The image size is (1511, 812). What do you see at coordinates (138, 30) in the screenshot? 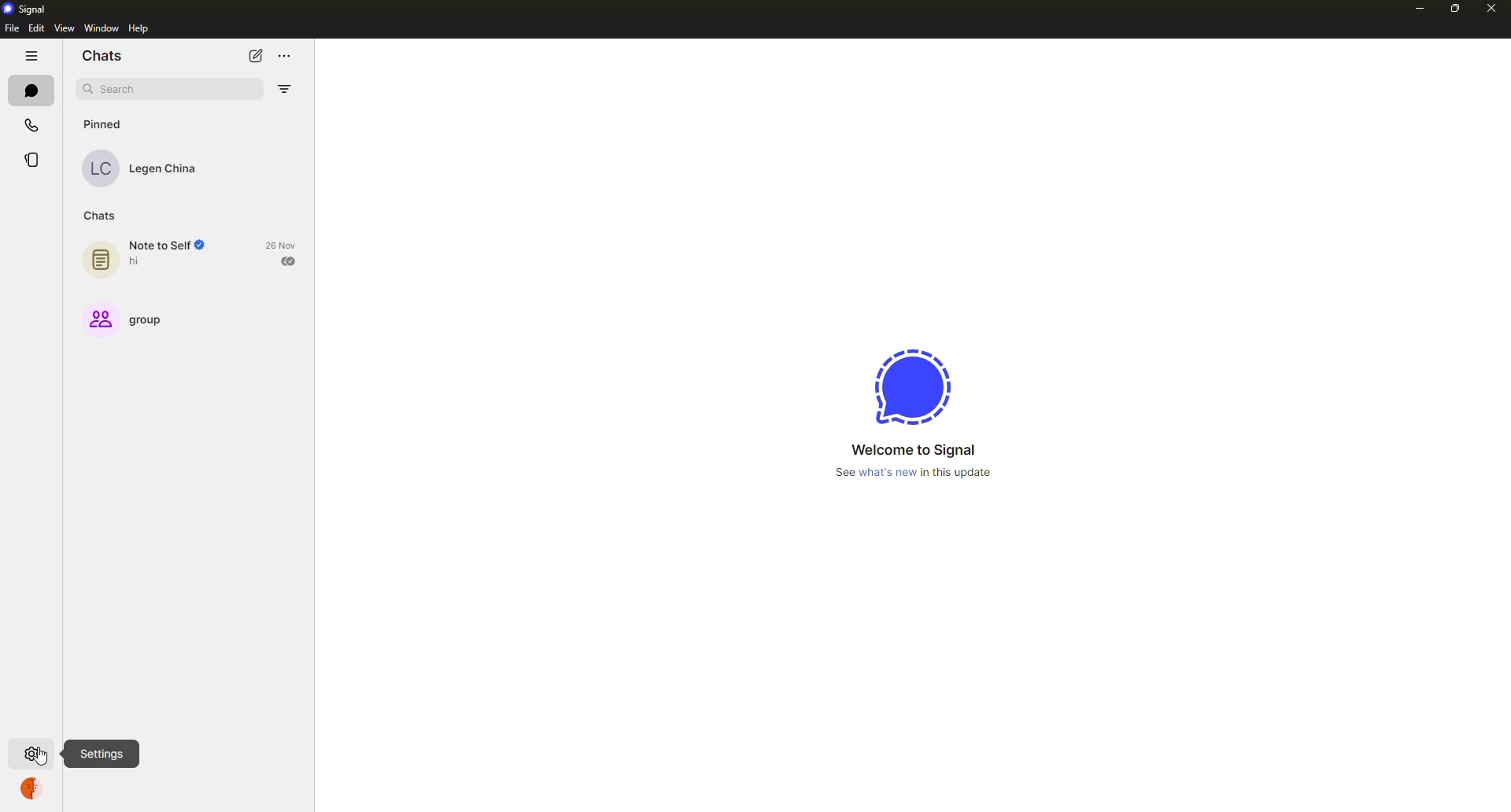
I see `help` at bounding box center [138, 30].